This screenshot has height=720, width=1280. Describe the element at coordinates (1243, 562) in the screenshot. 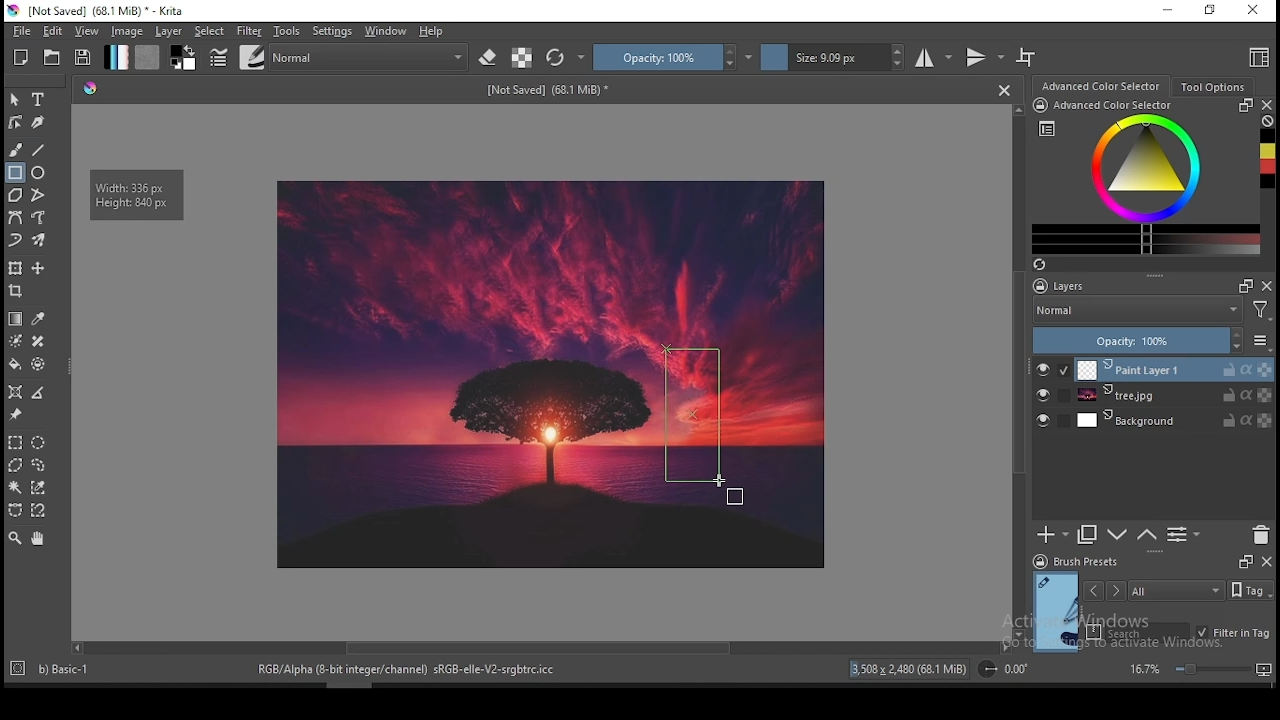

I see `Frame` at that location.